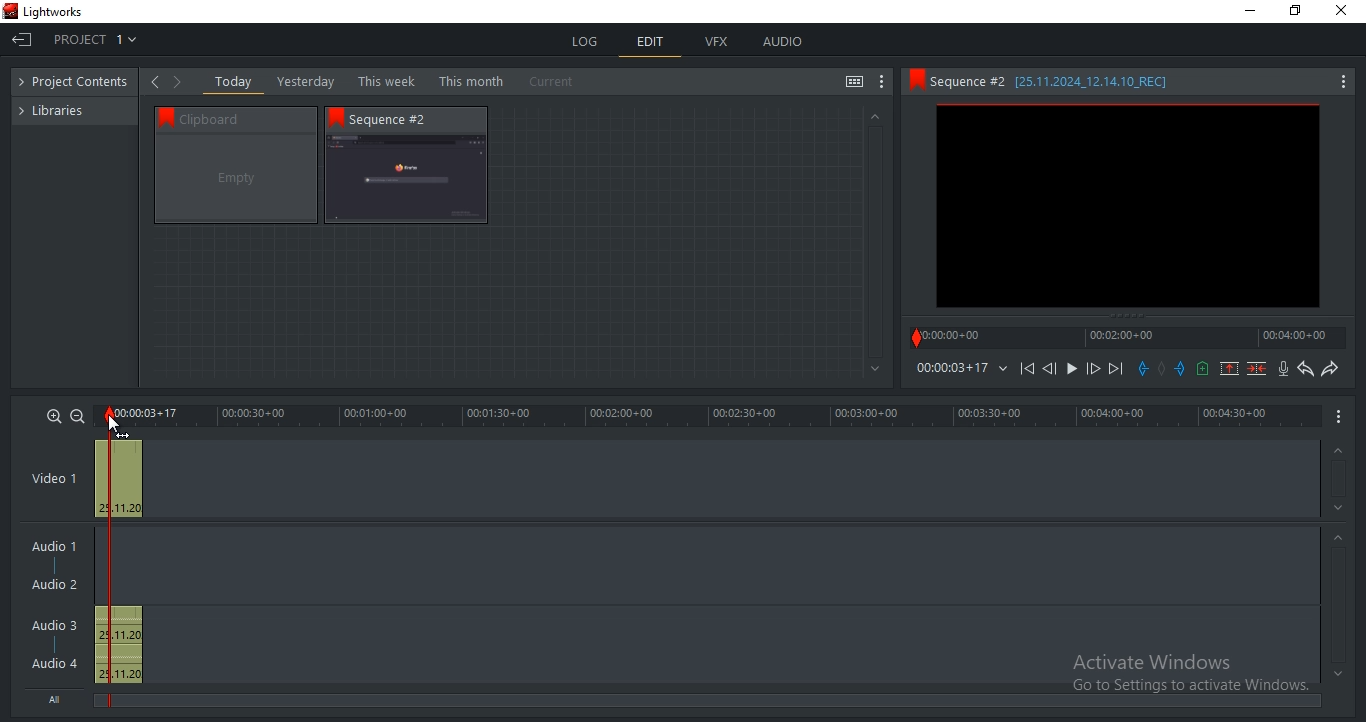  I want to click on vfx, so click(716, 42).